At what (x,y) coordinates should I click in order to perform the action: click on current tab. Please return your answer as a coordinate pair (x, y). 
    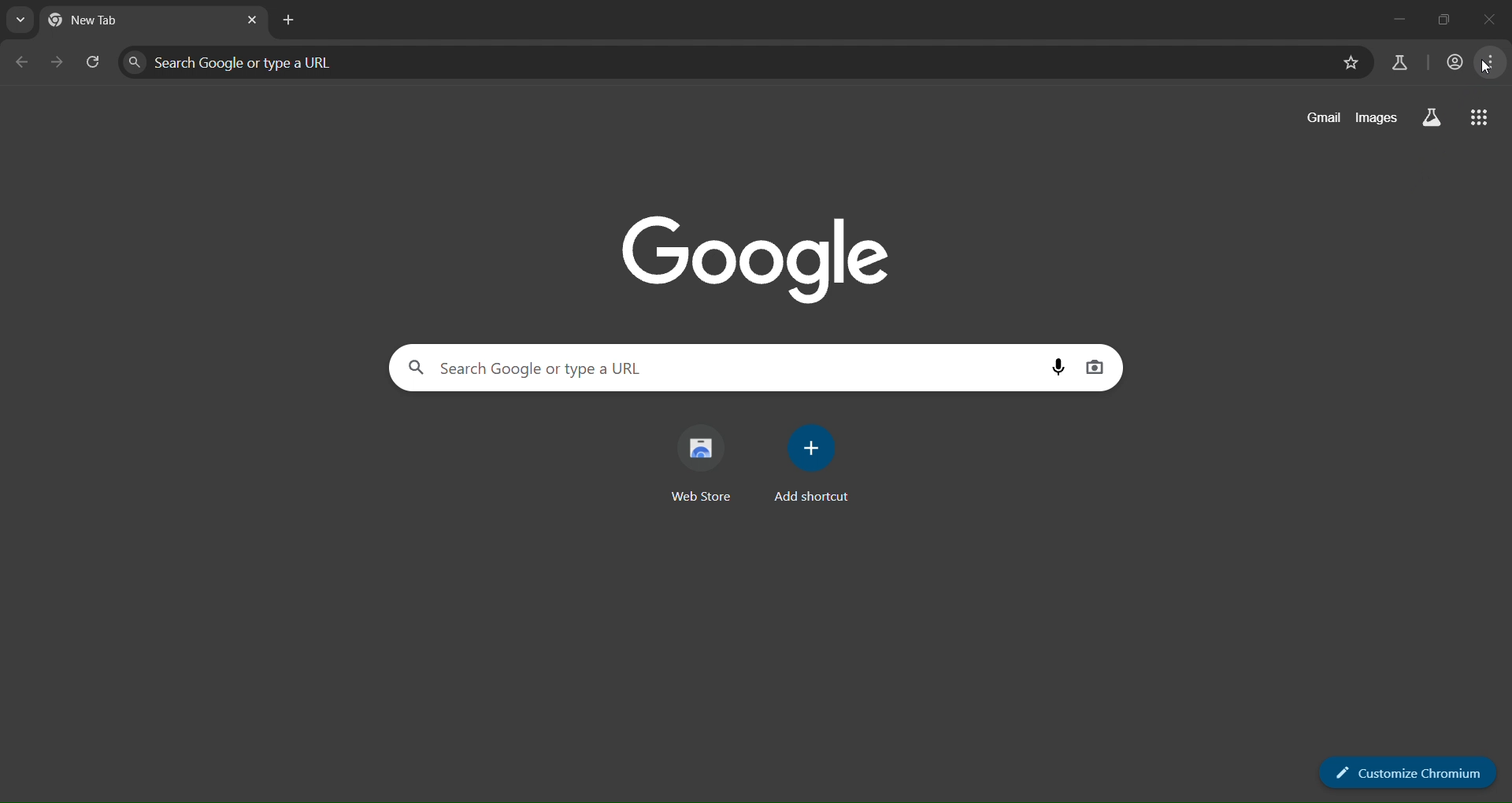
    Looking at the image, I should click on (94, 20).